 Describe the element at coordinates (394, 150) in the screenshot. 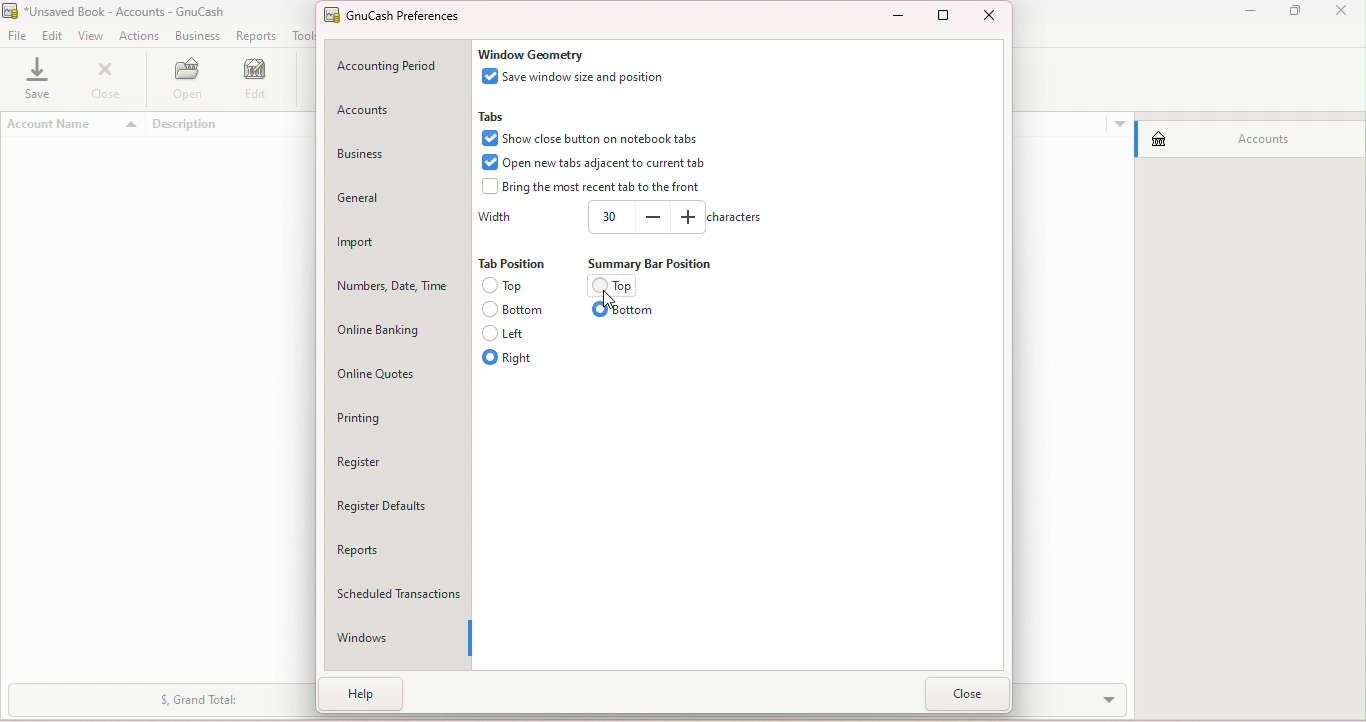

I see `Business` at that location.